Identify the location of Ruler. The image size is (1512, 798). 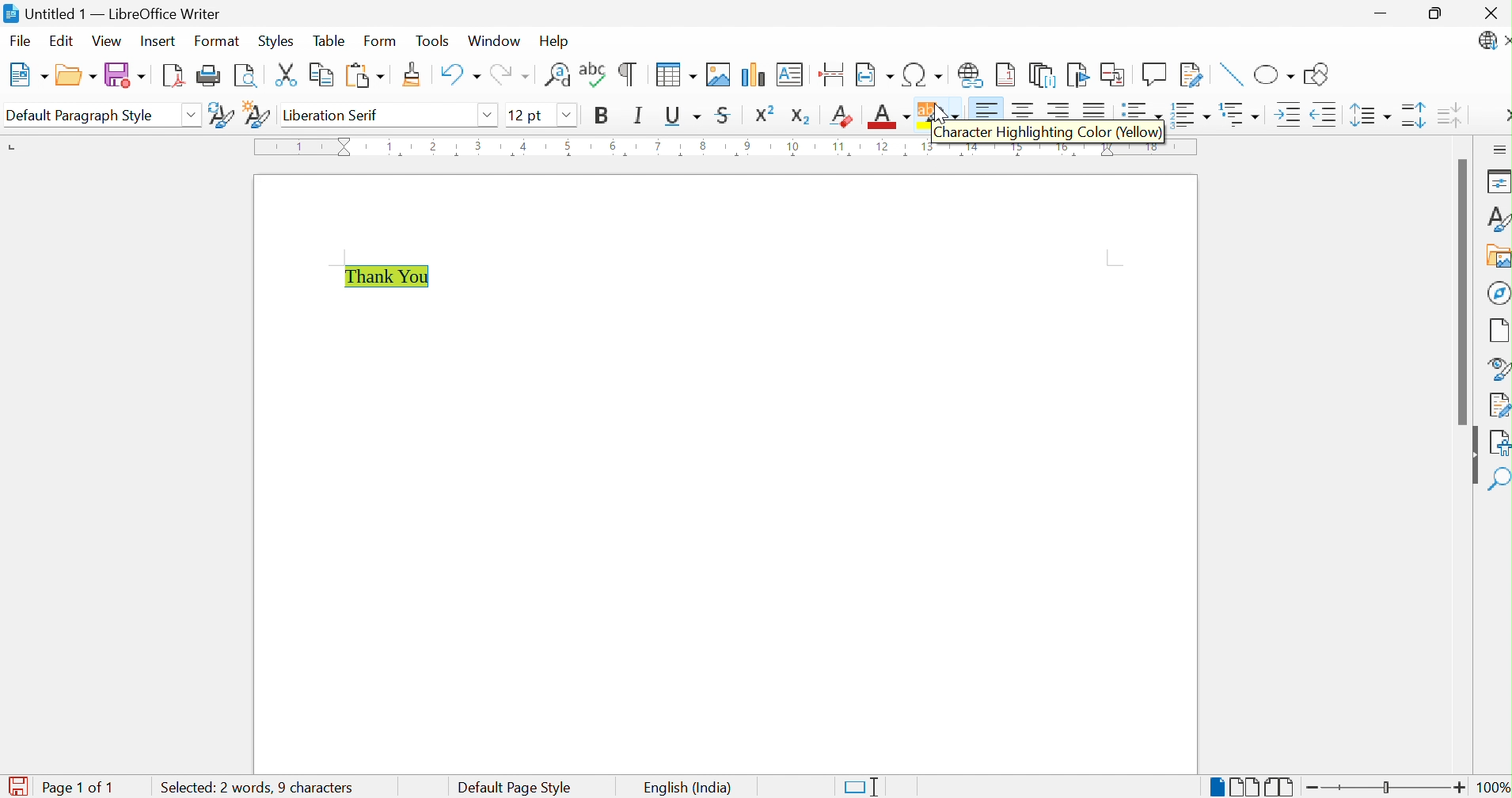
(583, 148).